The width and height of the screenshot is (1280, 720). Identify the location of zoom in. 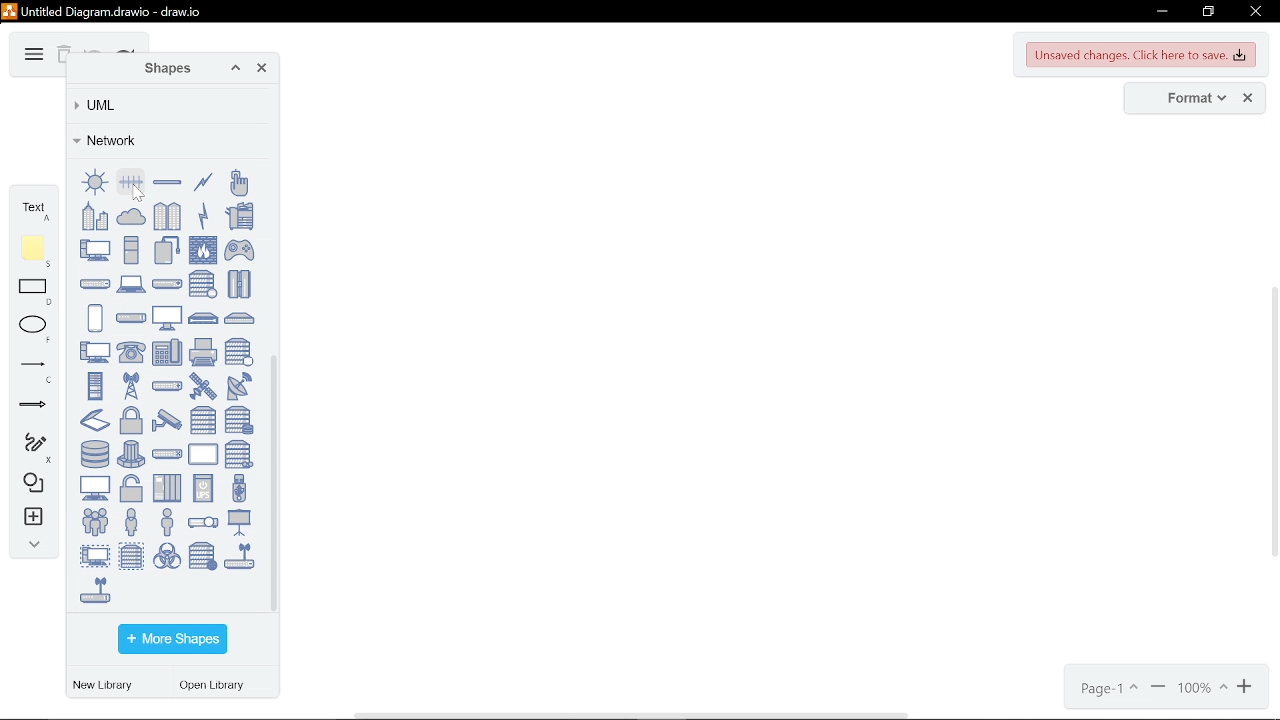
(1158, 689).